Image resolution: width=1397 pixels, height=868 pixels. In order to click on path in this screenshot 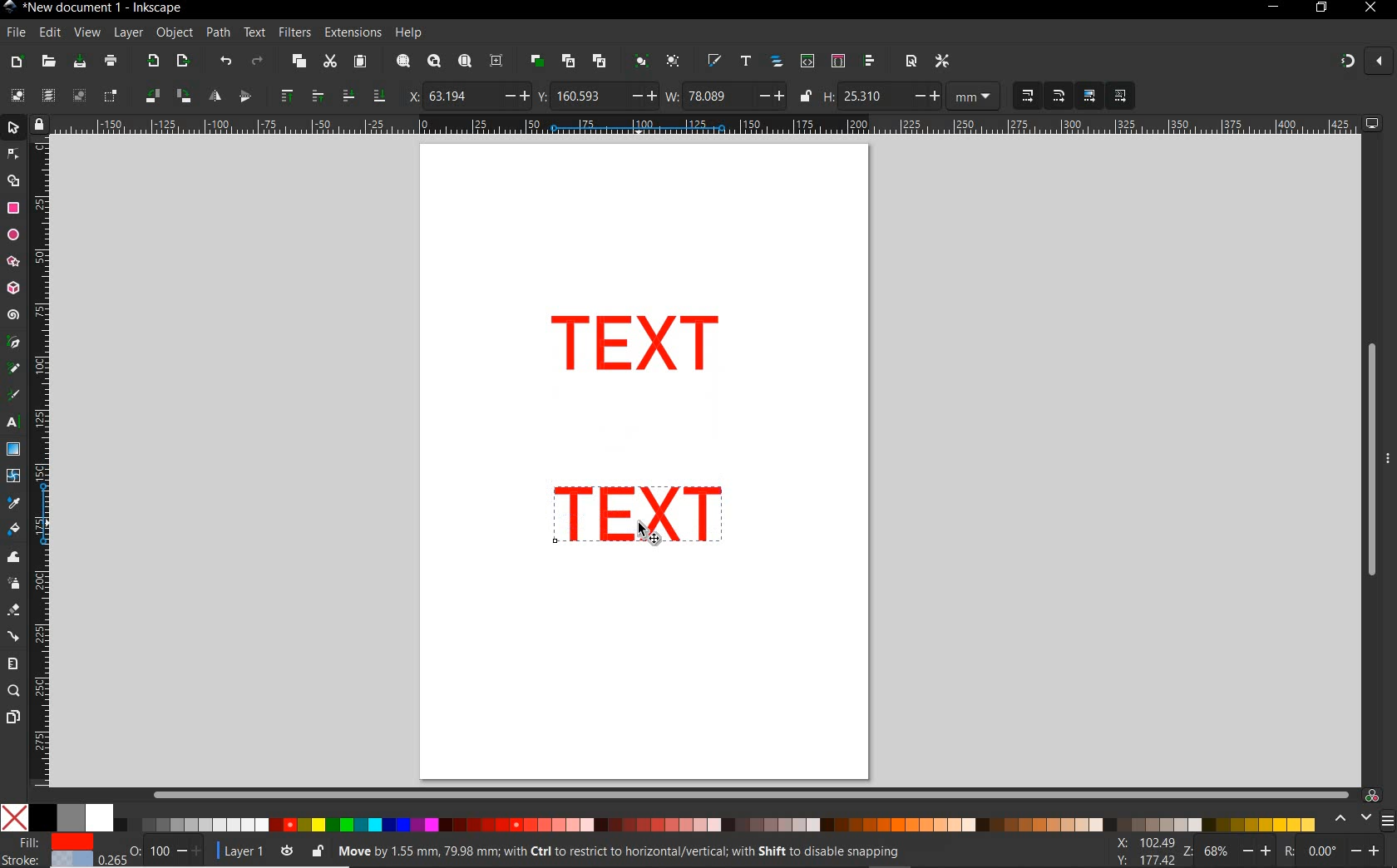, I will do `click(218, 33)`.